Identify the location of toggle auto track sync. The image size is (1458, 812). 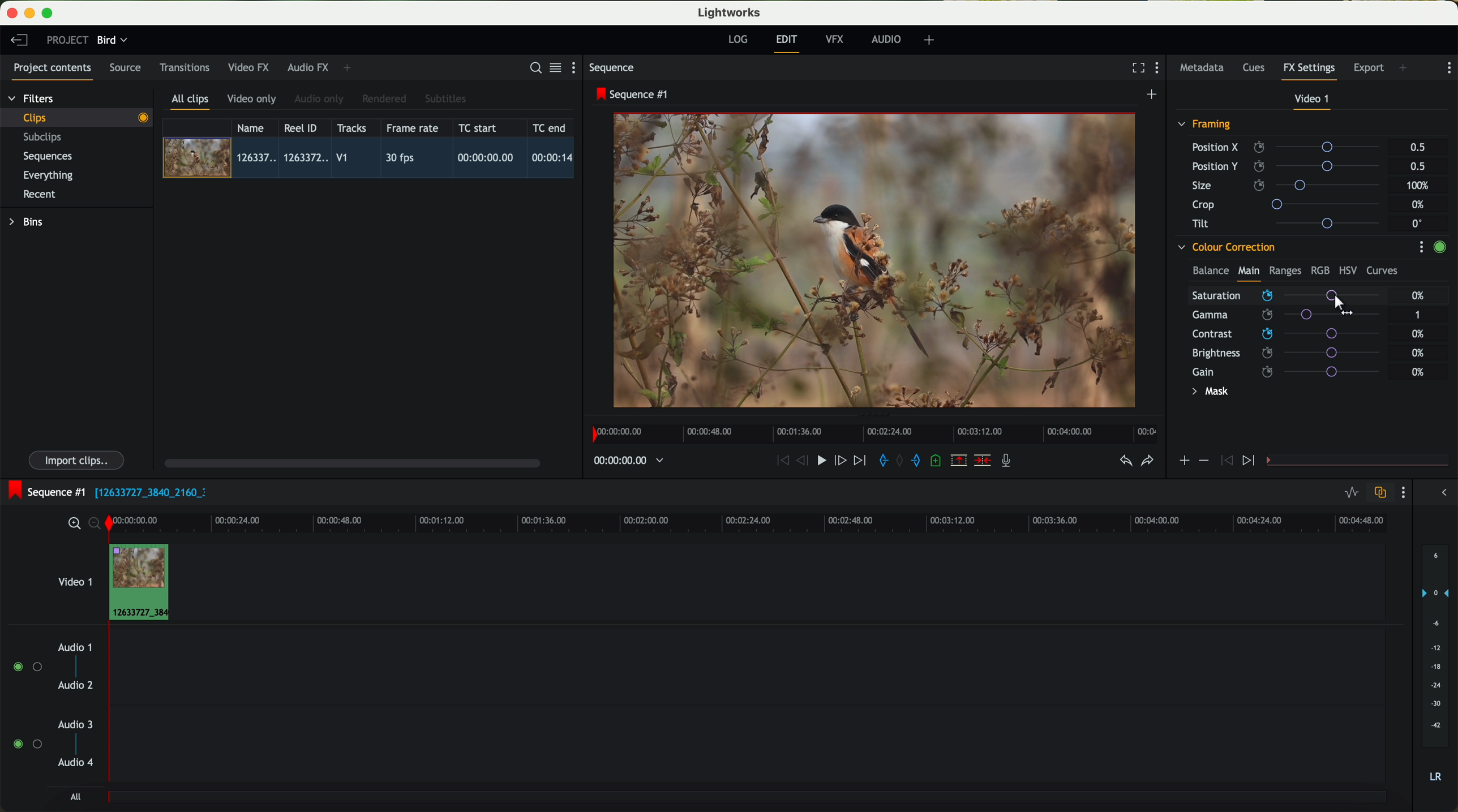
(1378, 493).